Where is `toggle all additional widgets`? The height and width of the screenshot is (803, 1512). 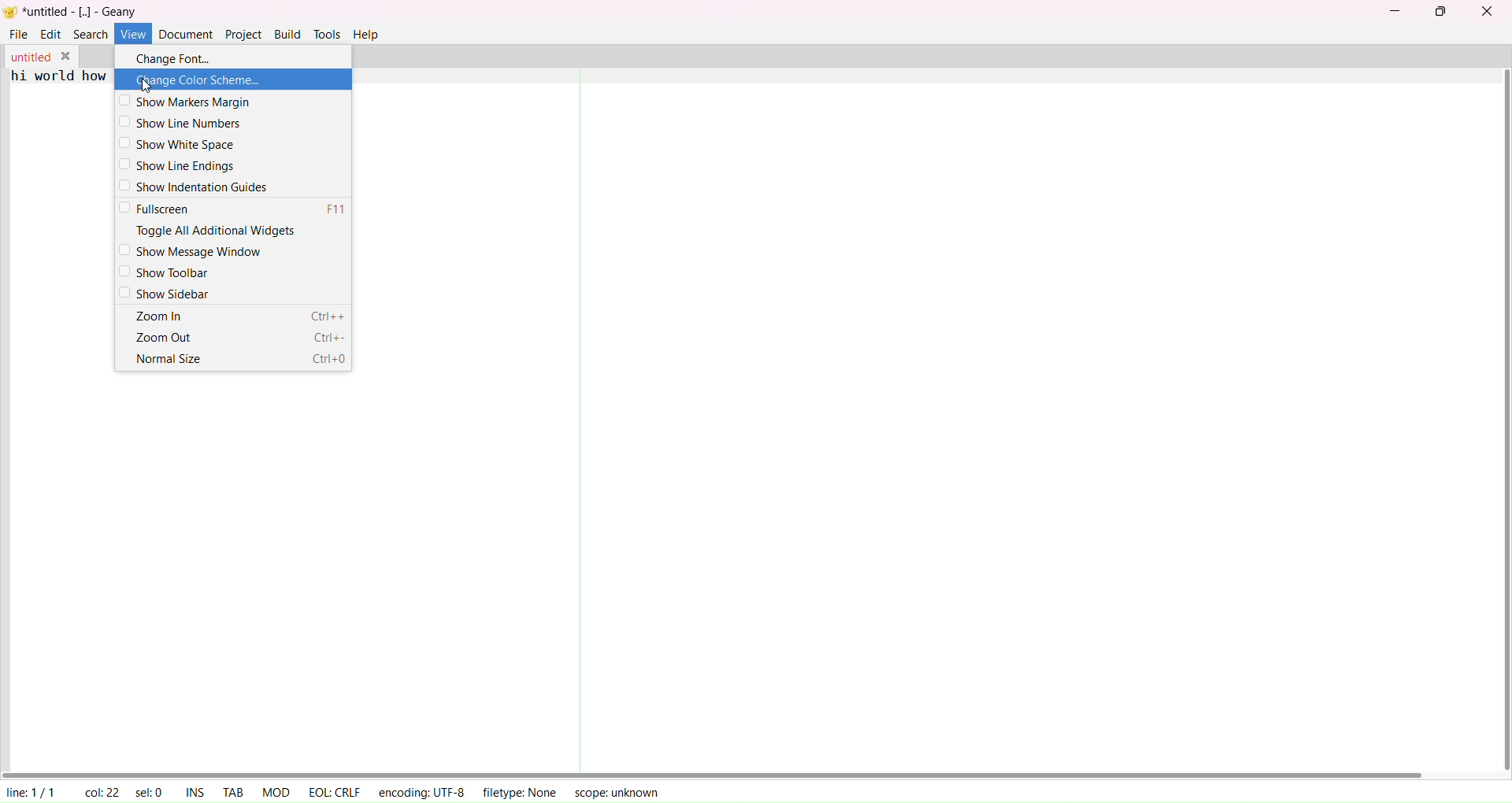 toggle all additional widgets is located at coordinates (211, 231).